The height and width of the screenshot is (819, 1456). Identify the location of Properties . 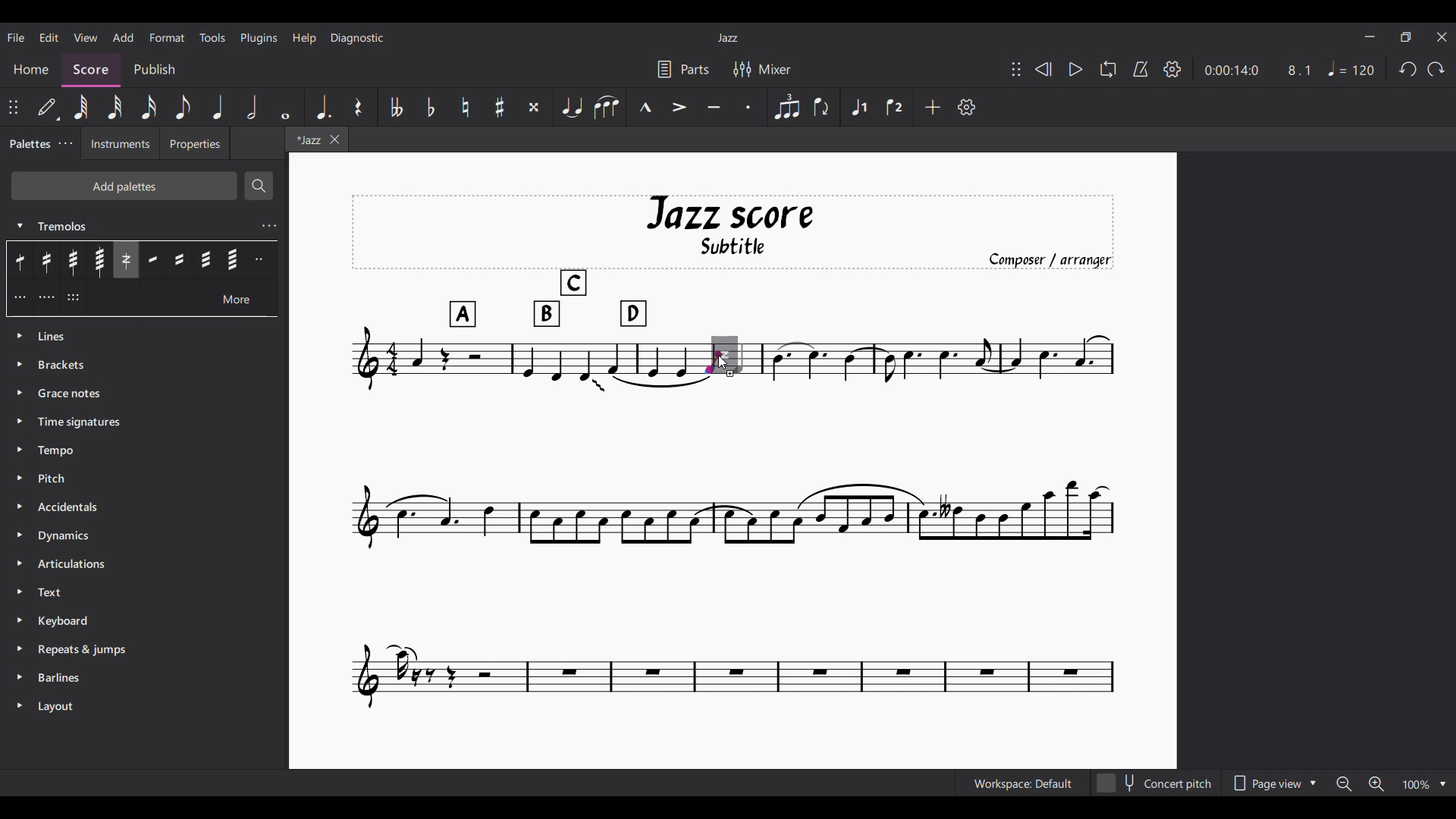
(195, 143).